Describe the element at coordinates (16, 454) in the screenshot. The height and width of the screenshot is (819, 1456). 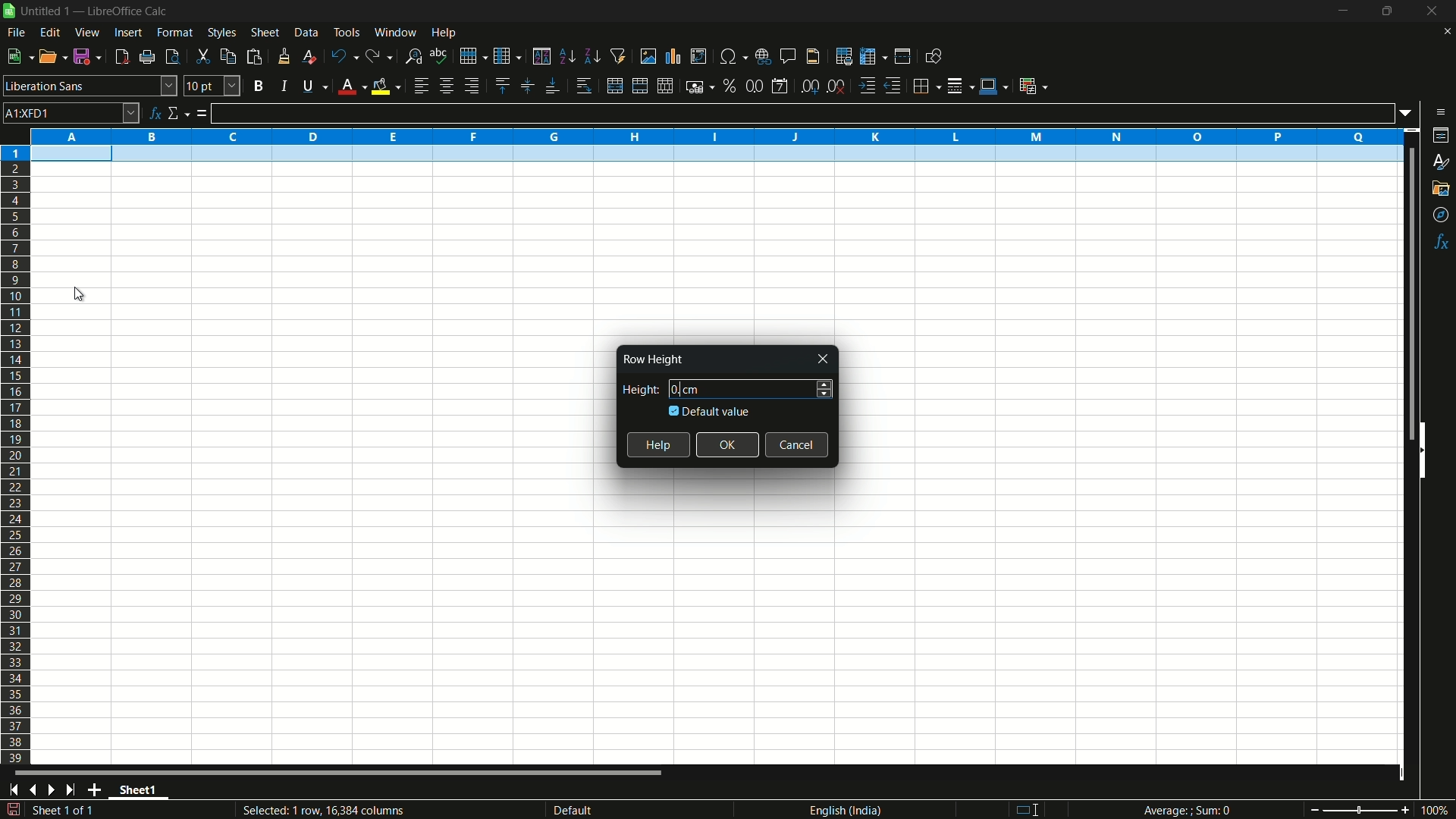
I see `rows` at that location.